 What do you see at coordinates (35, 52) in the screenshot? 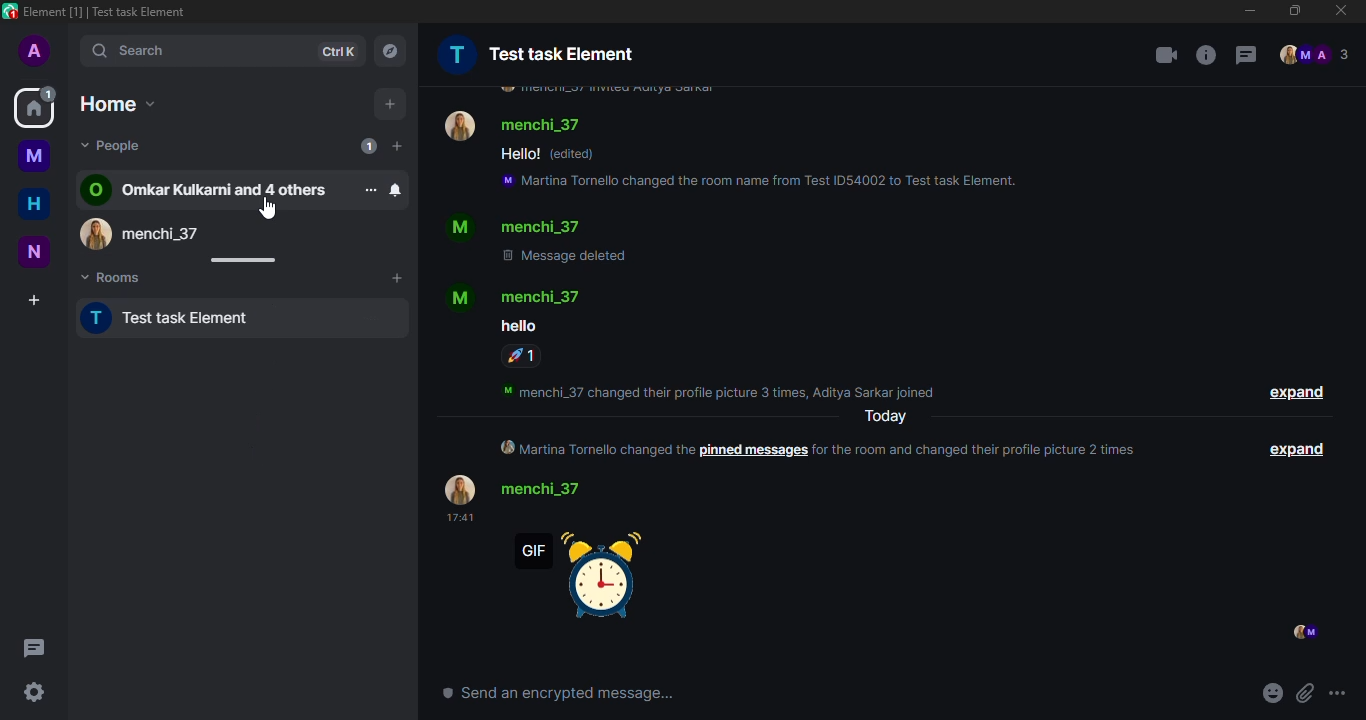
I see `profile` at bounding box center [35, 52].